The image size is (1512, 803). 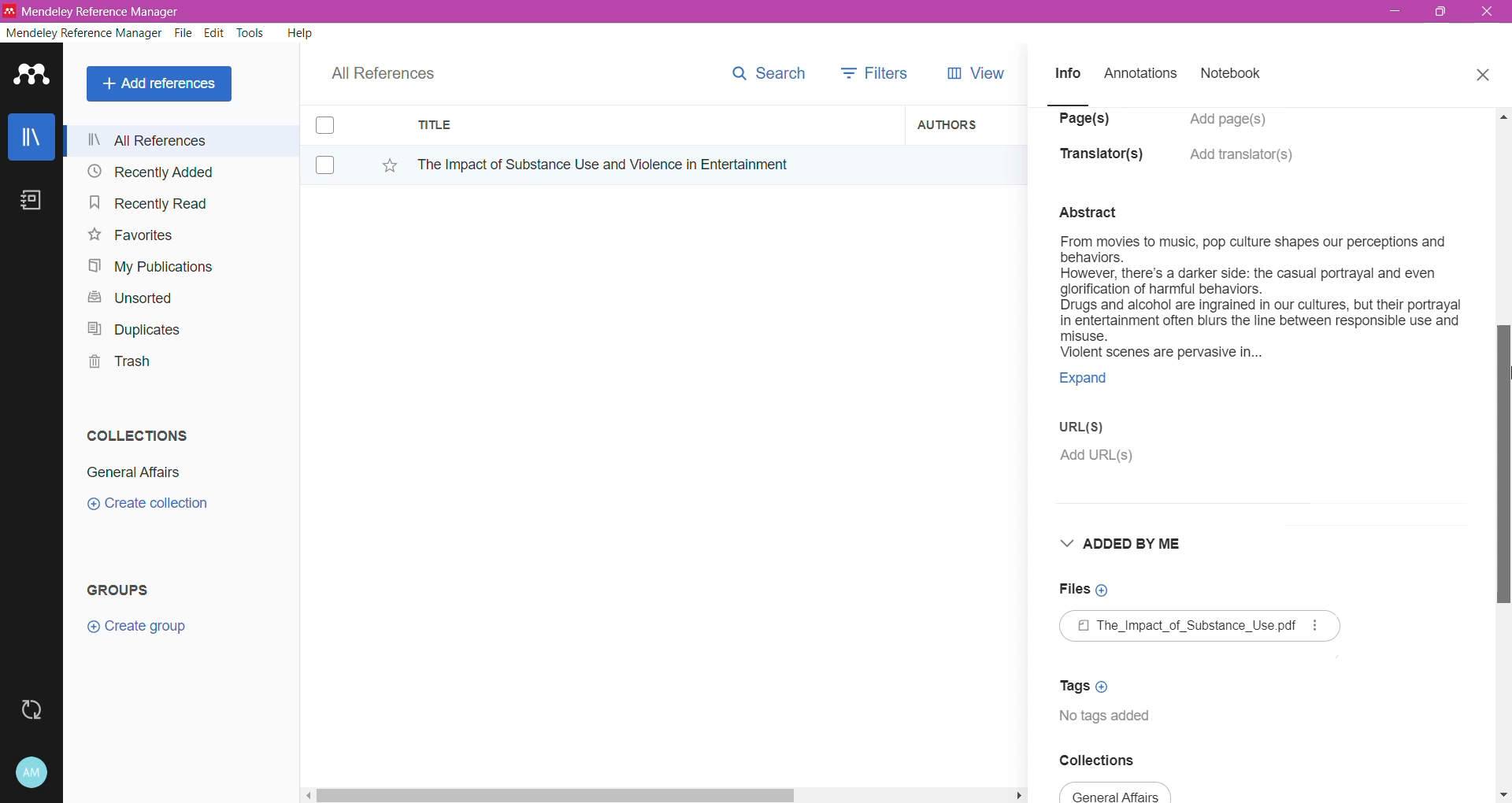 I want to click on Collection Name, so click(x=131, y=472).